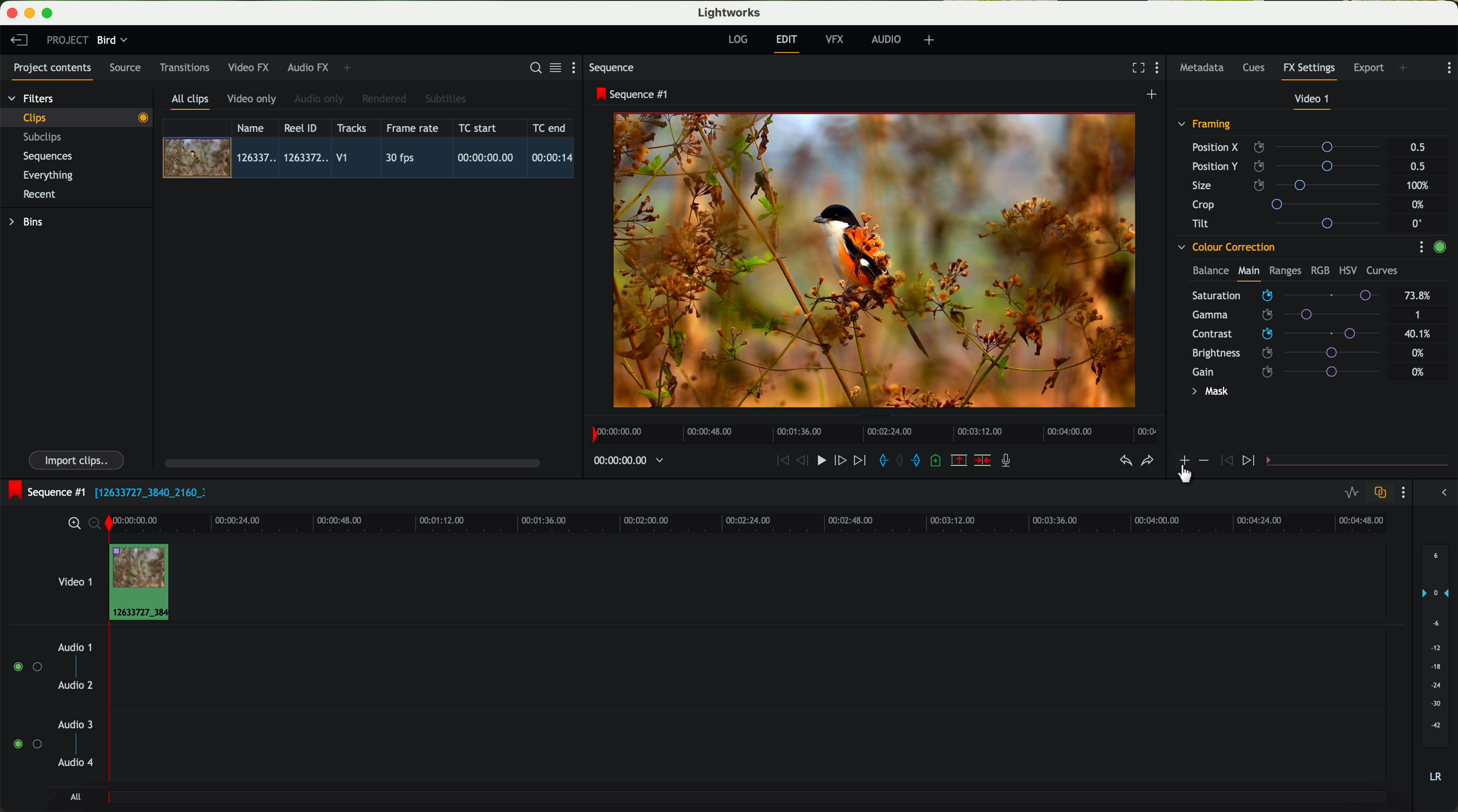 The image size is (1458, 812). What do you see at coordinates (1225, 247) in the screenshot?
I see `colour correction` at bounding box center [1225, 247].